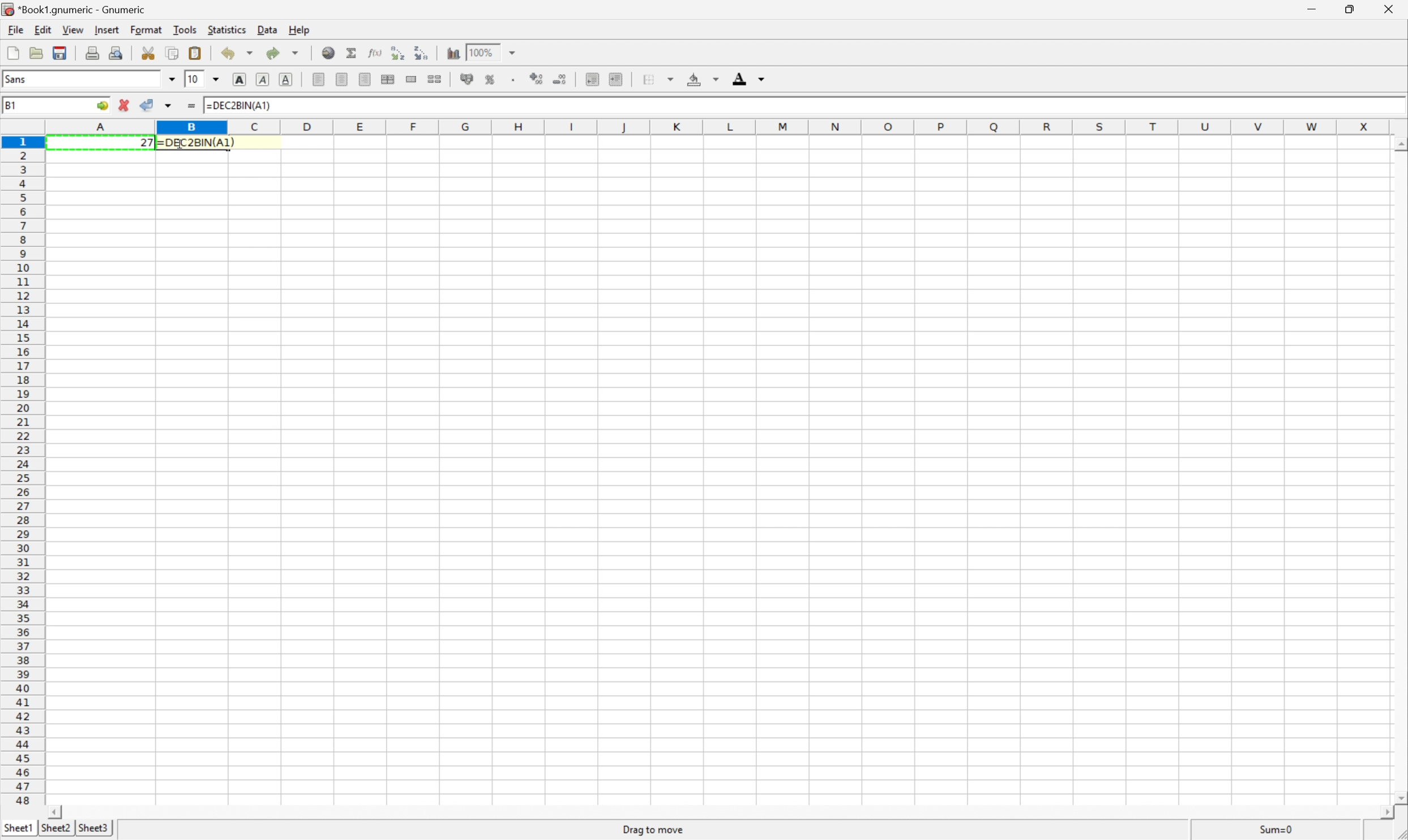  Describe the element at coordinates (195, 53) in the screenshot. I see `Paste clipboard` at that location.